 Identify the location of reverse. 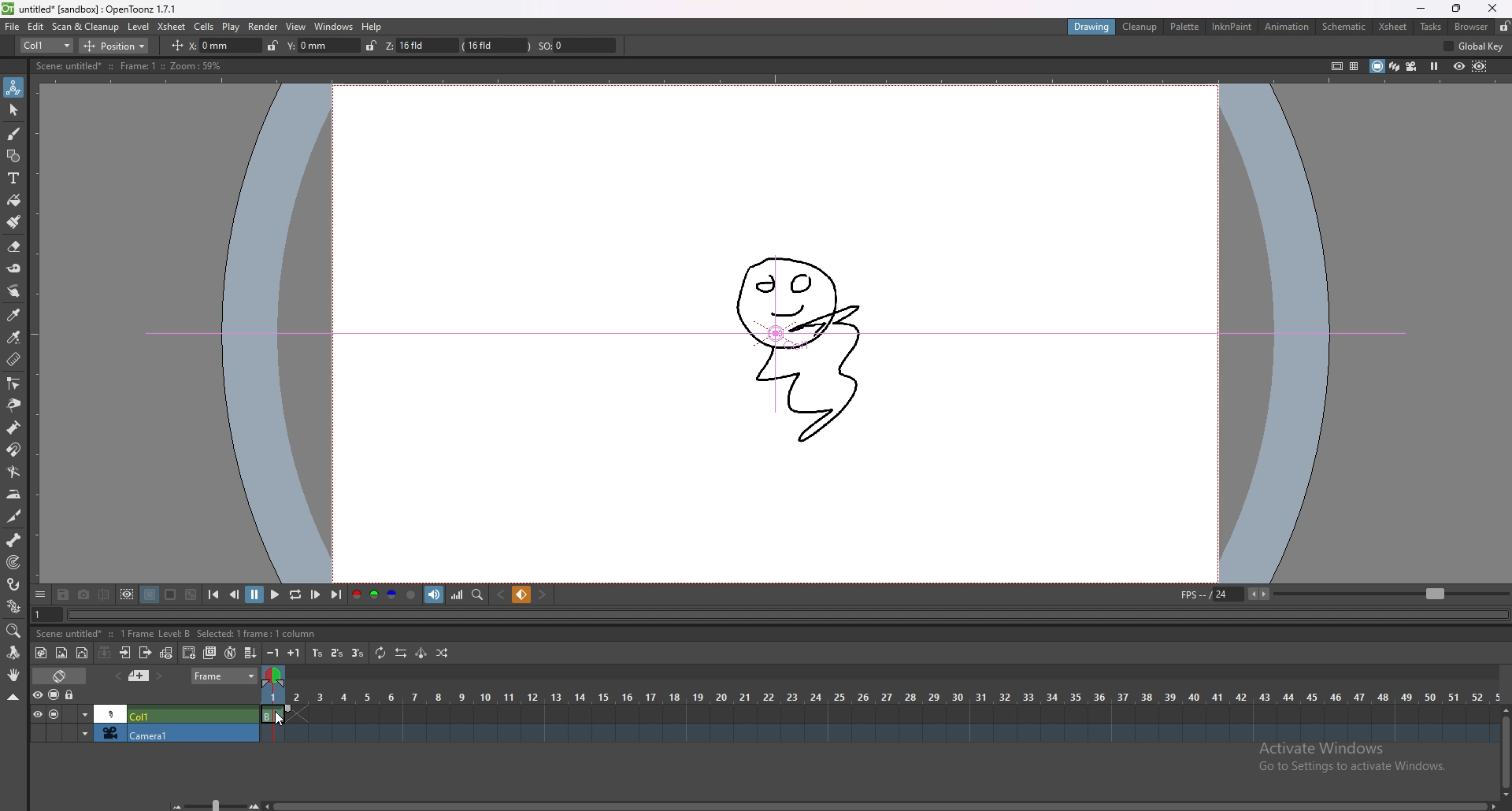
(399, 653).